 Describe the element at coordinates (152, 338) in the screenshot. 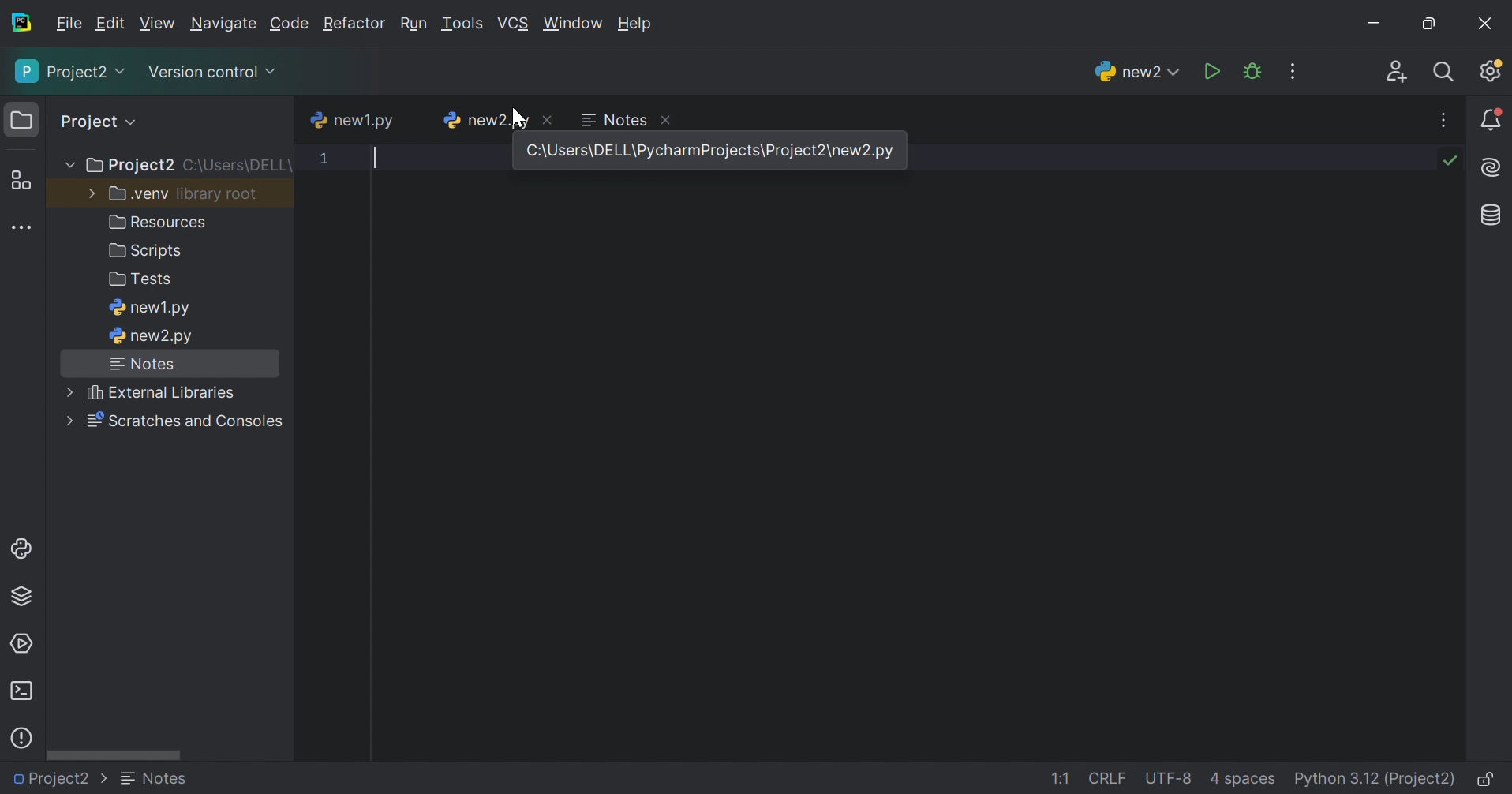

I see `new2.py` at that location.